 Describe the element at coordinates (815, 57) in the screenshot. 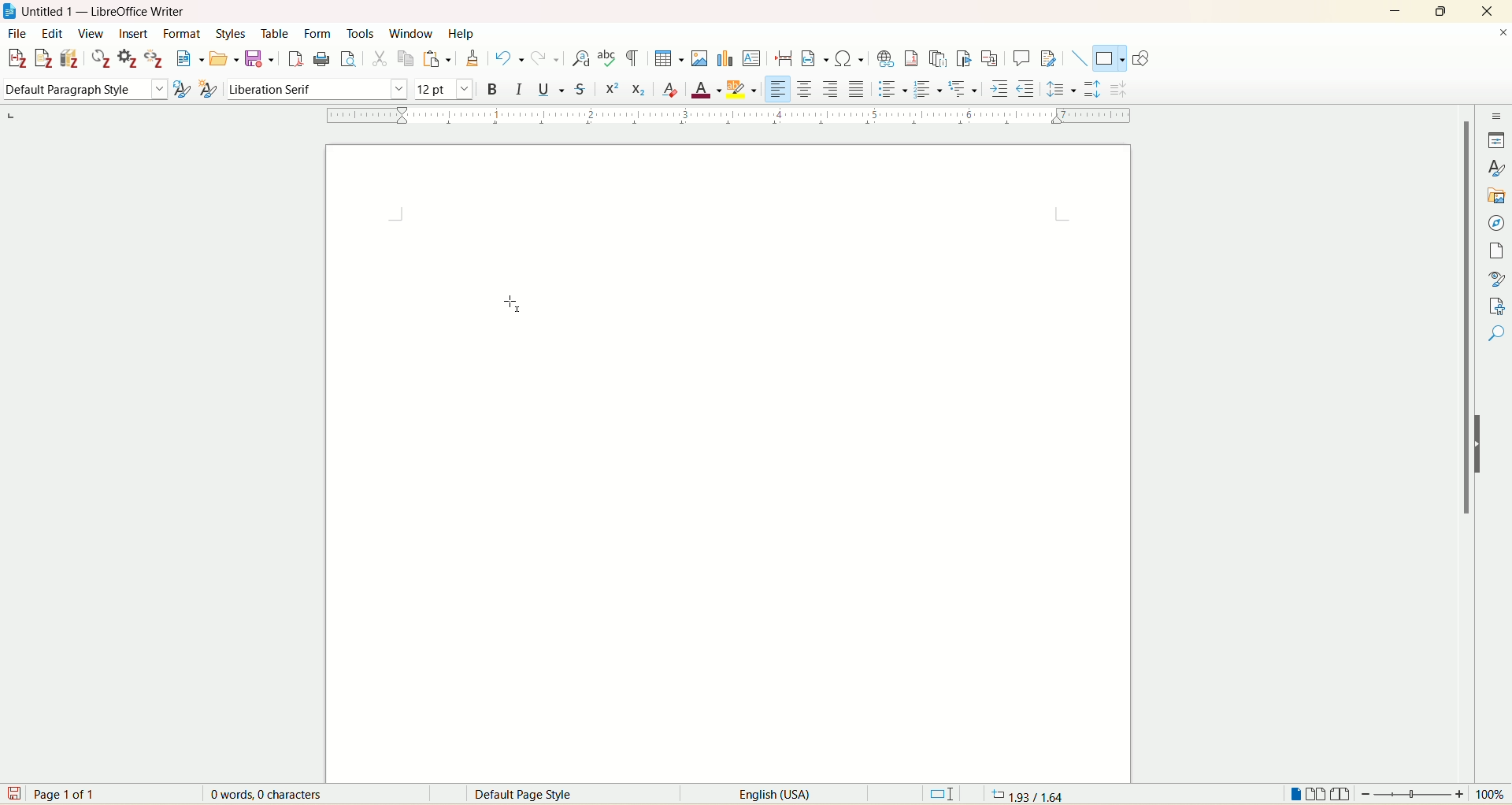

I see `insert field ` at that location.